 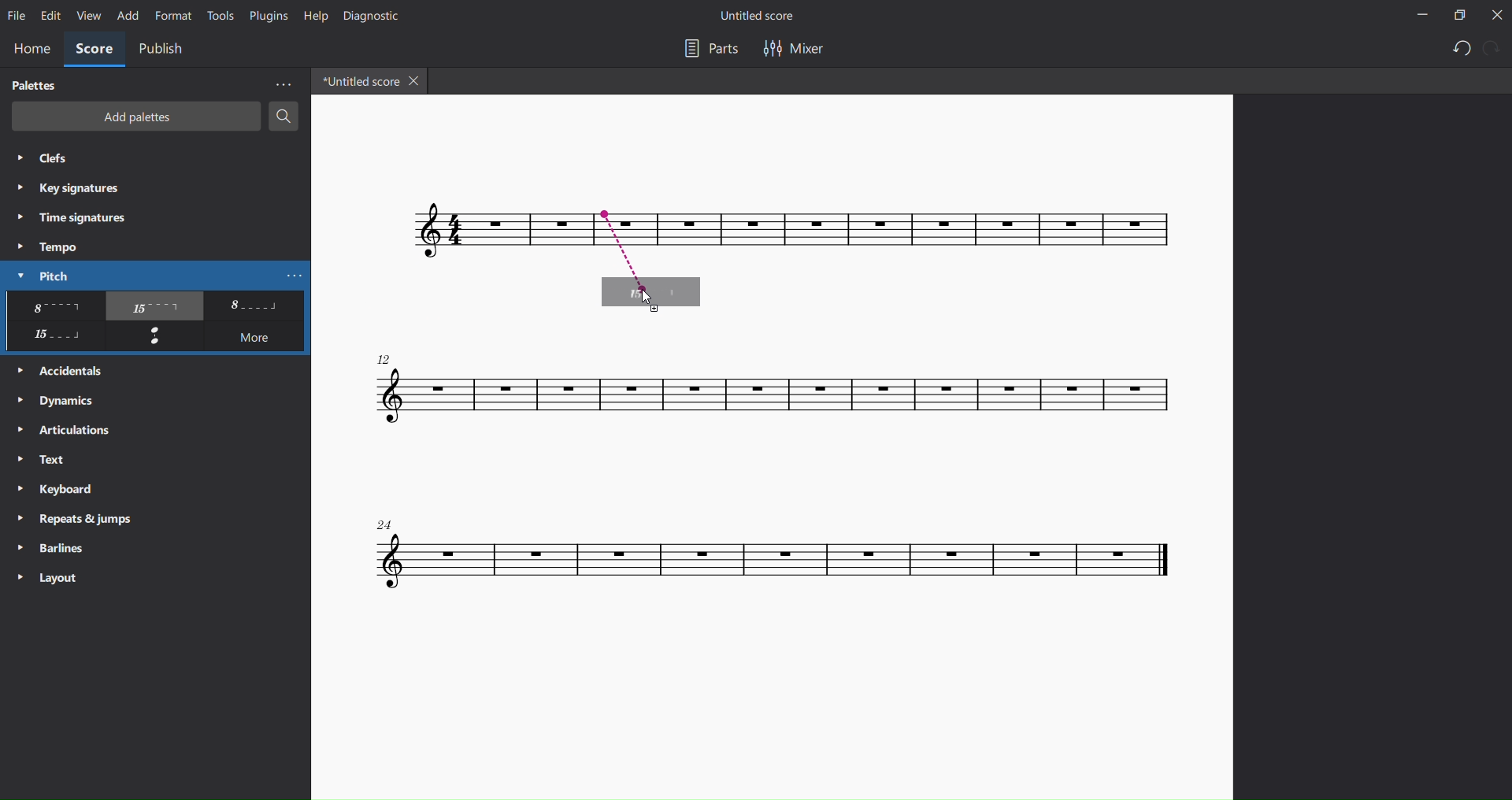 What do you see at coordinates (172, 15) in the screenshot?
I see `format` at bounding box center [172, 15].